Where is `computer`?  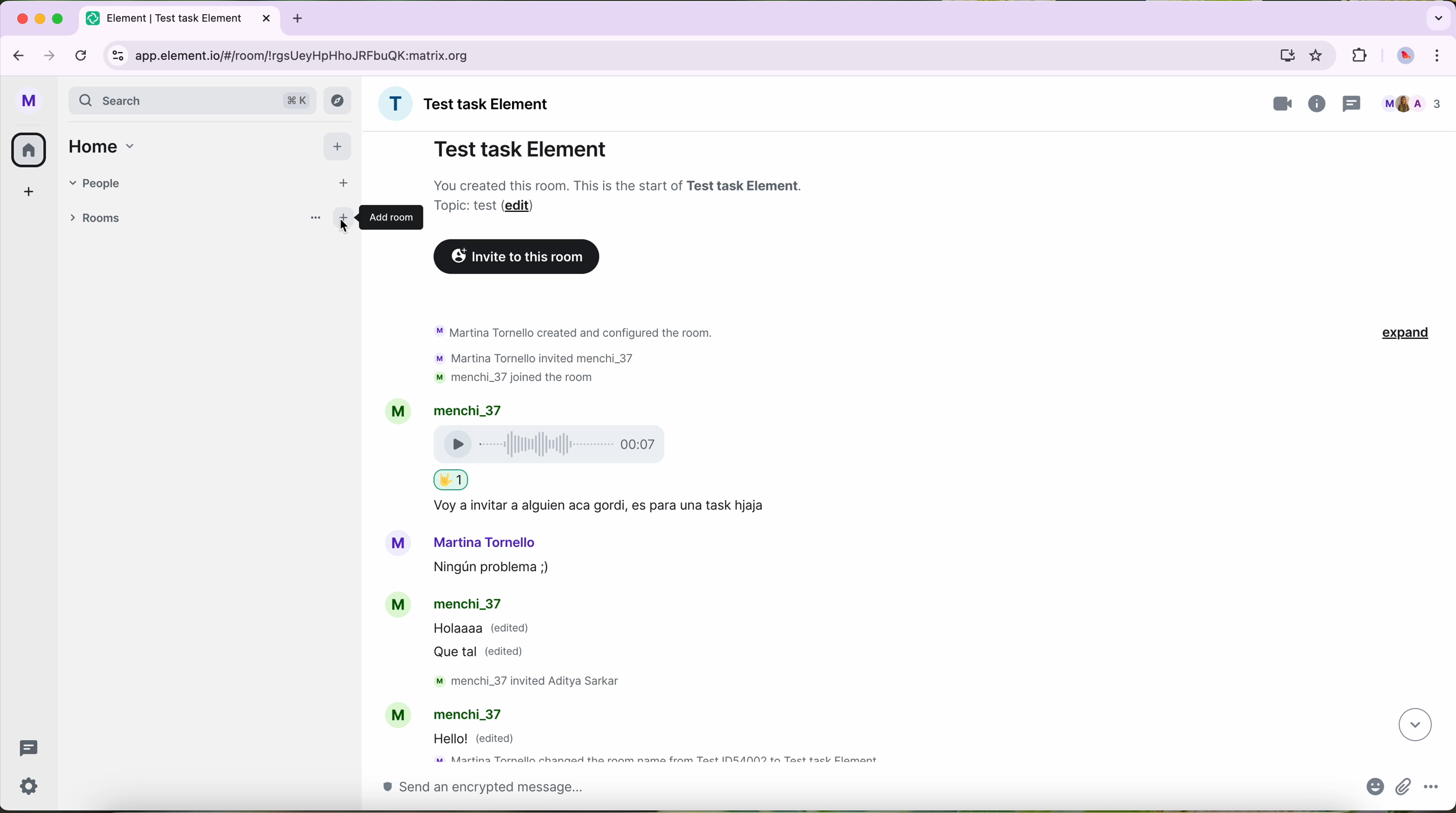 computer is located at coordinates (1286, 55).